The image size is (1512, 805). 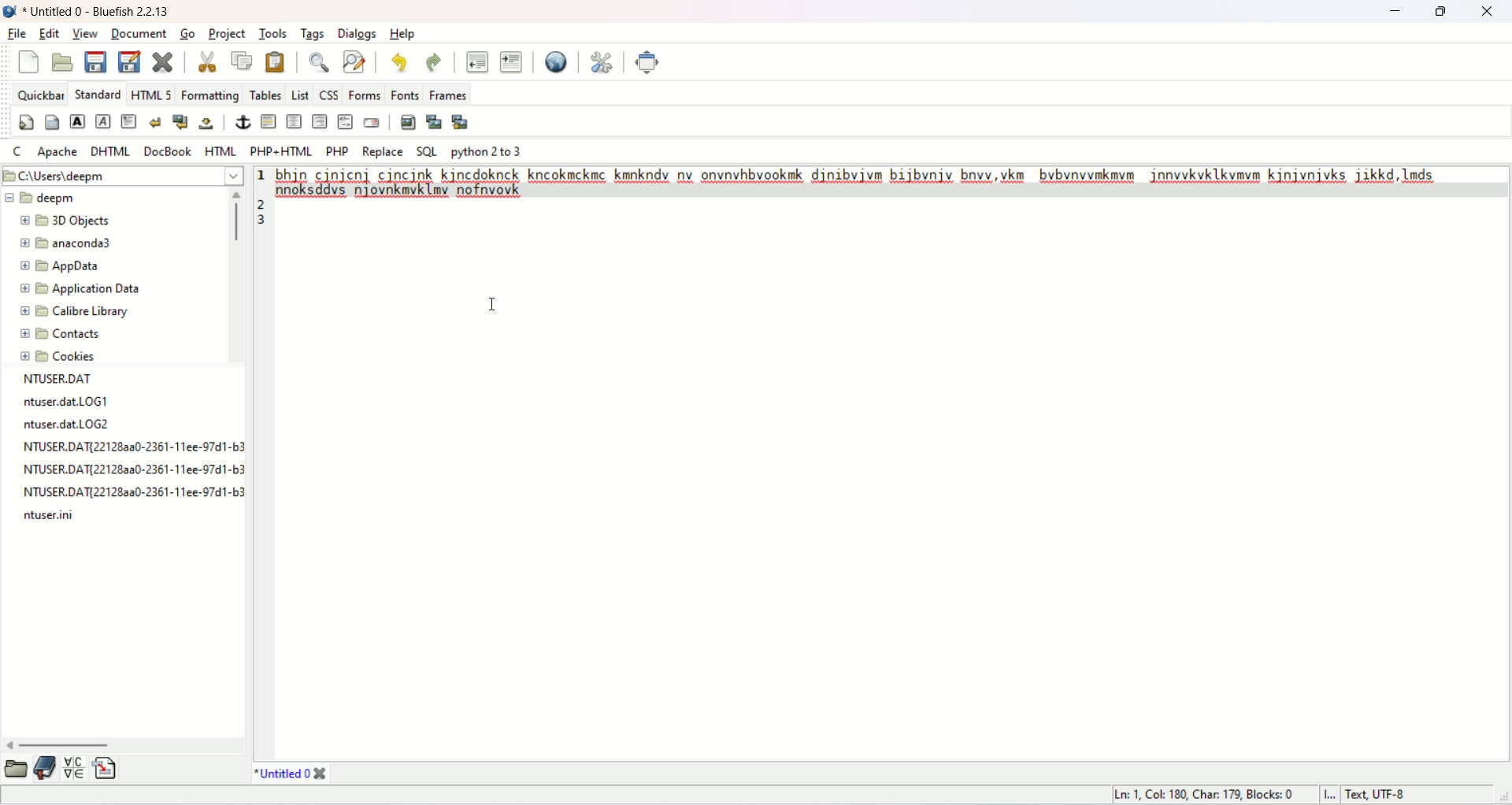 I want to click on HTML 5, so click(x=153, y=95).